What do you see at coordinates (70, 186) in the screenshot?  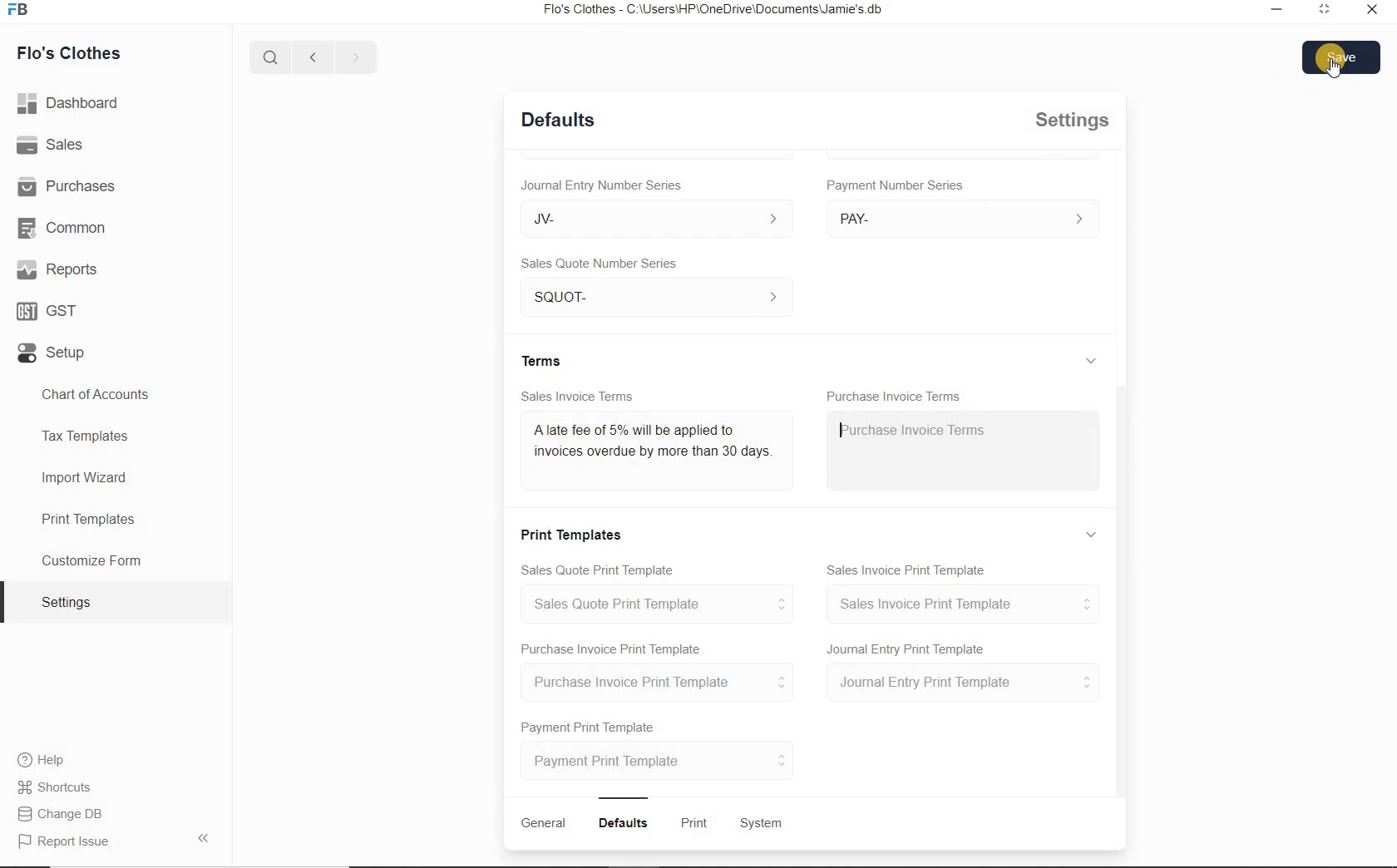 I see `Purchases` at bounding box center [70, 186].